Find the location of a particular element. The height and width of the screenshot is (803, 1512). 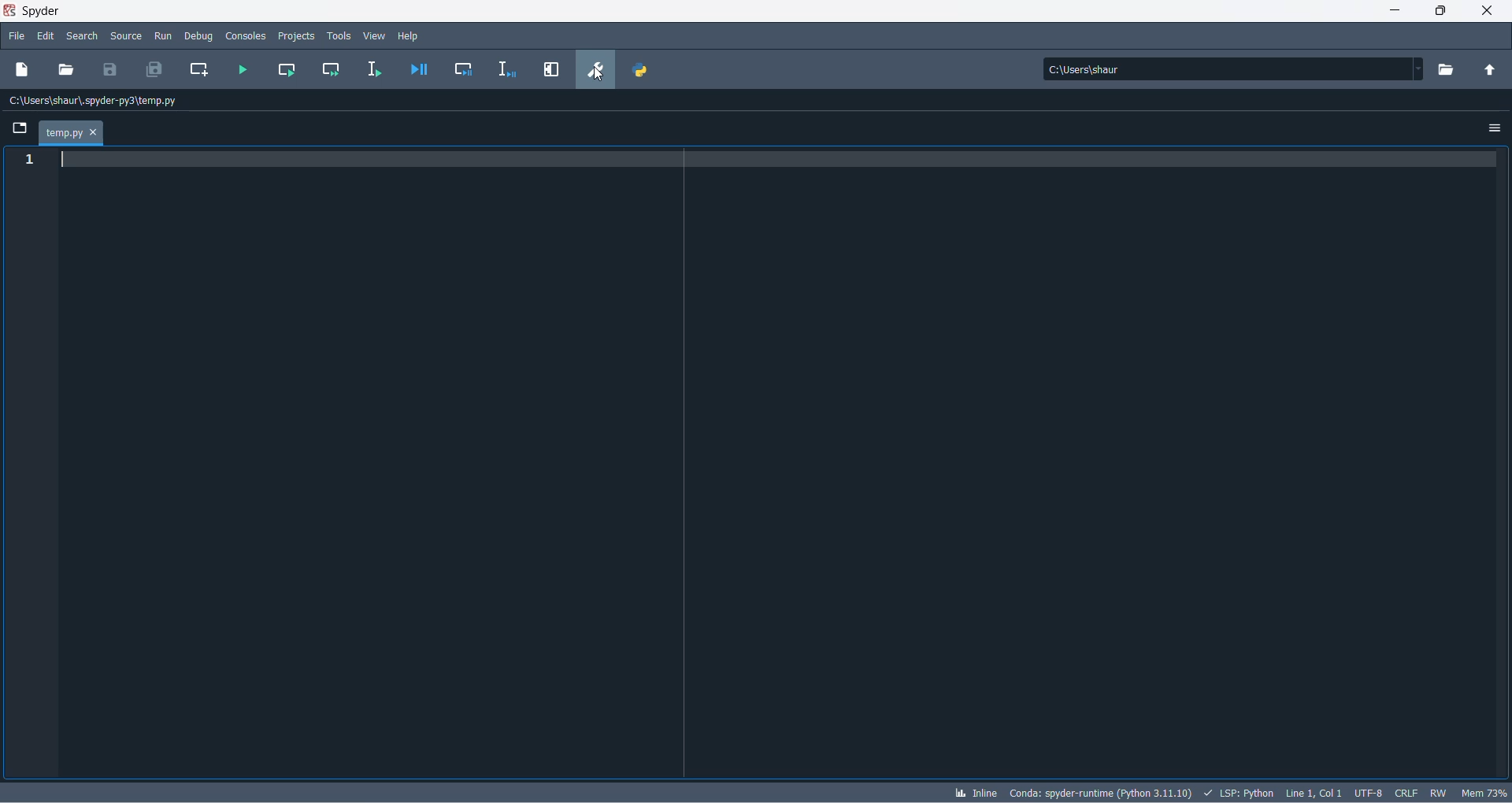

line number is located at coordinates (34, 161).